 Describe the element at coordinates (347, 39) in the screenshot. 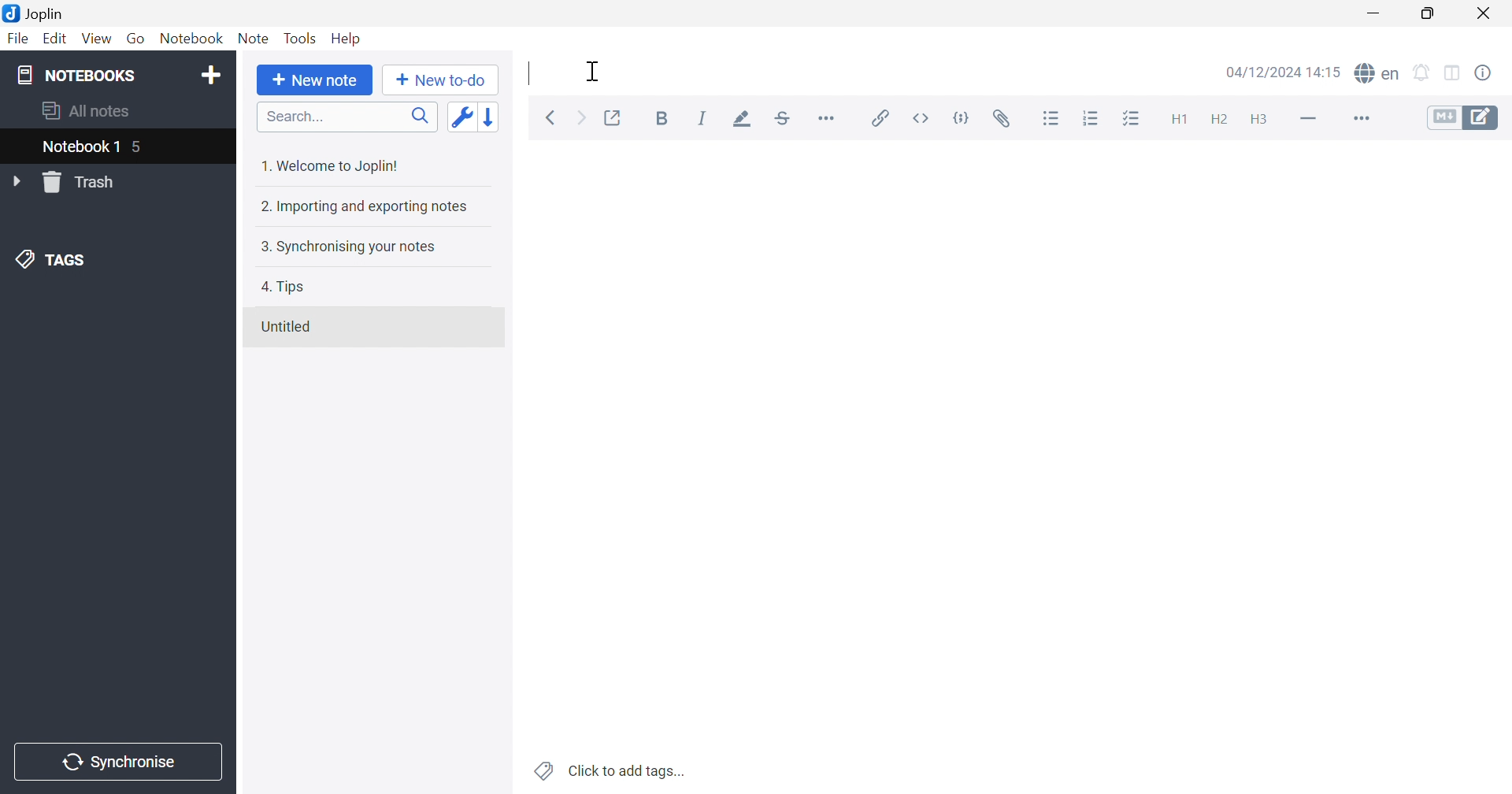

I see `Help` at that location.